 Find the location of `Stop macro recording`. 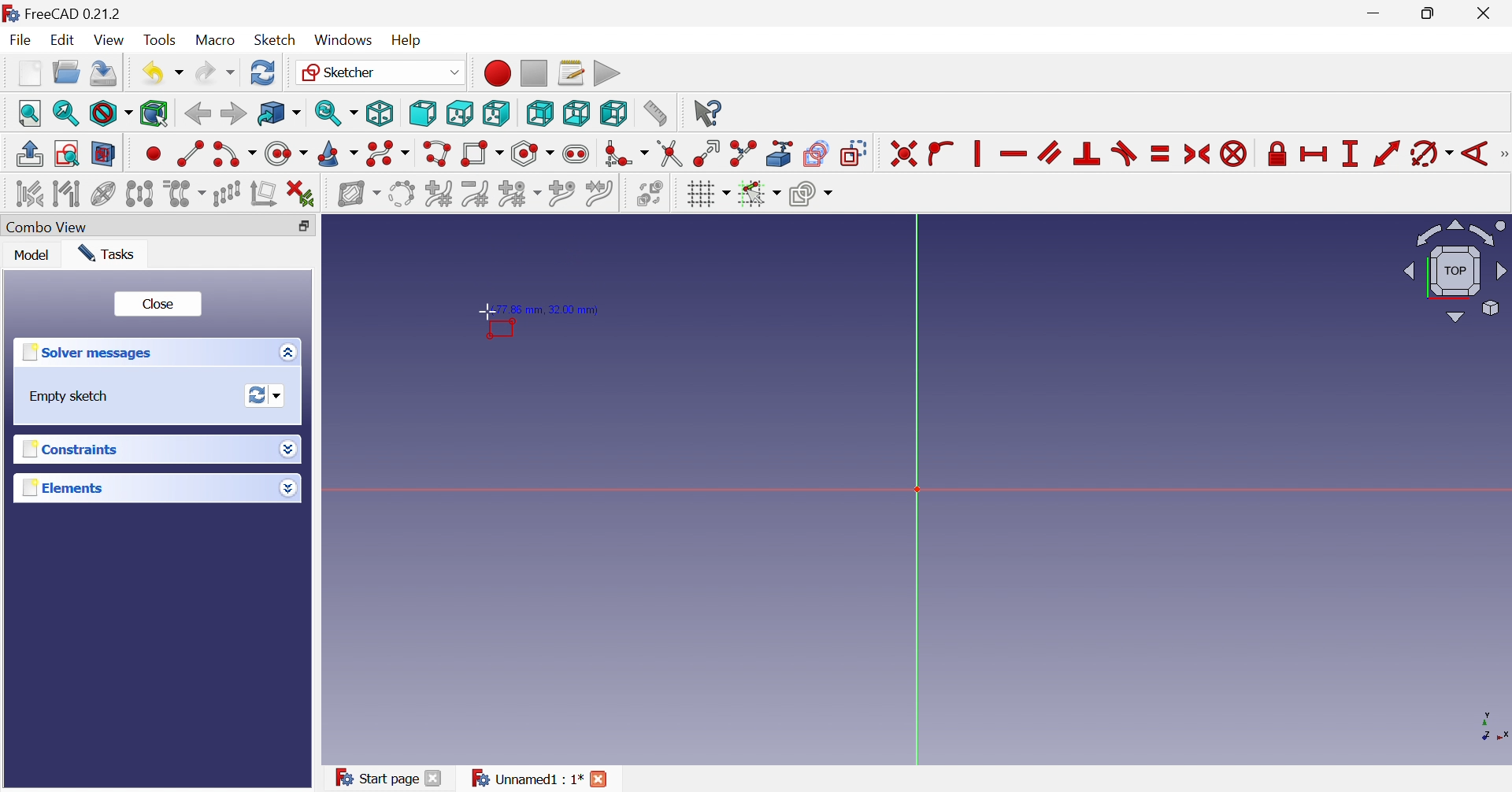

Stop macro recording is located at coordinates (532, 72).